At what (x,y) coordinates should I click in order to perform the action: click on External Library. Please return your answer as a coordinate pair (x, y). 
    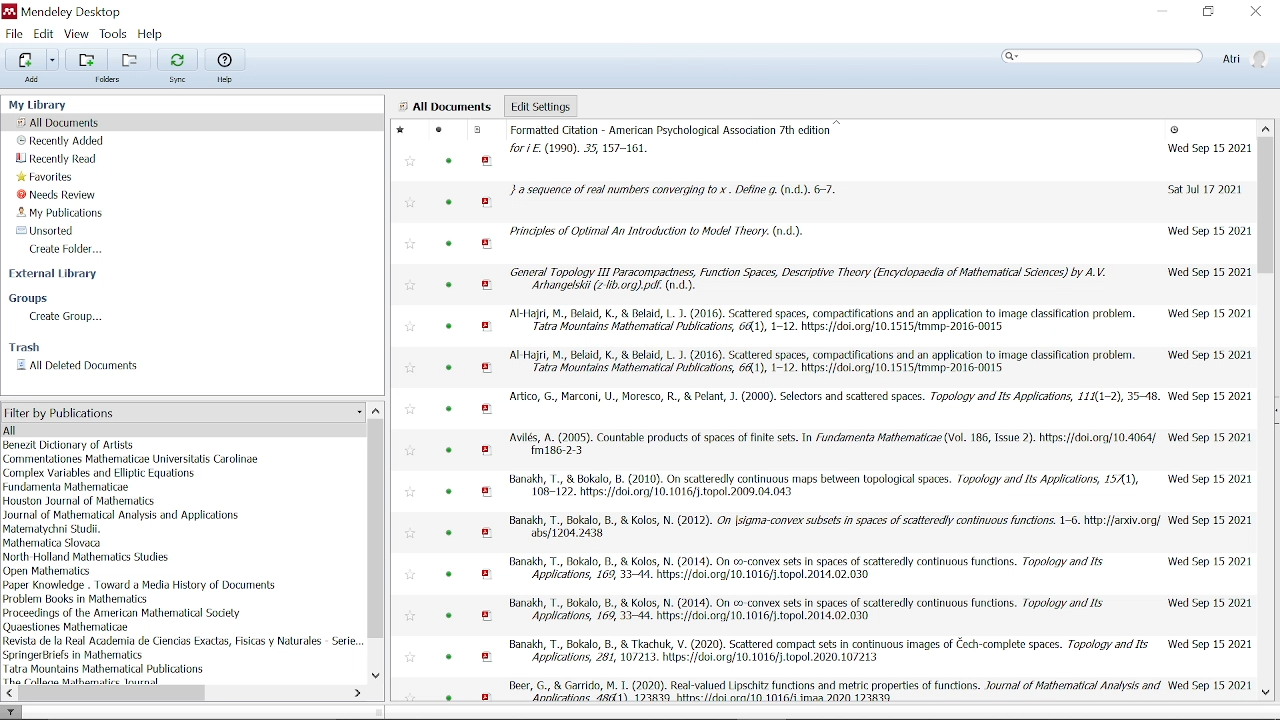
    Looking at the image, I should click on (56, 276).